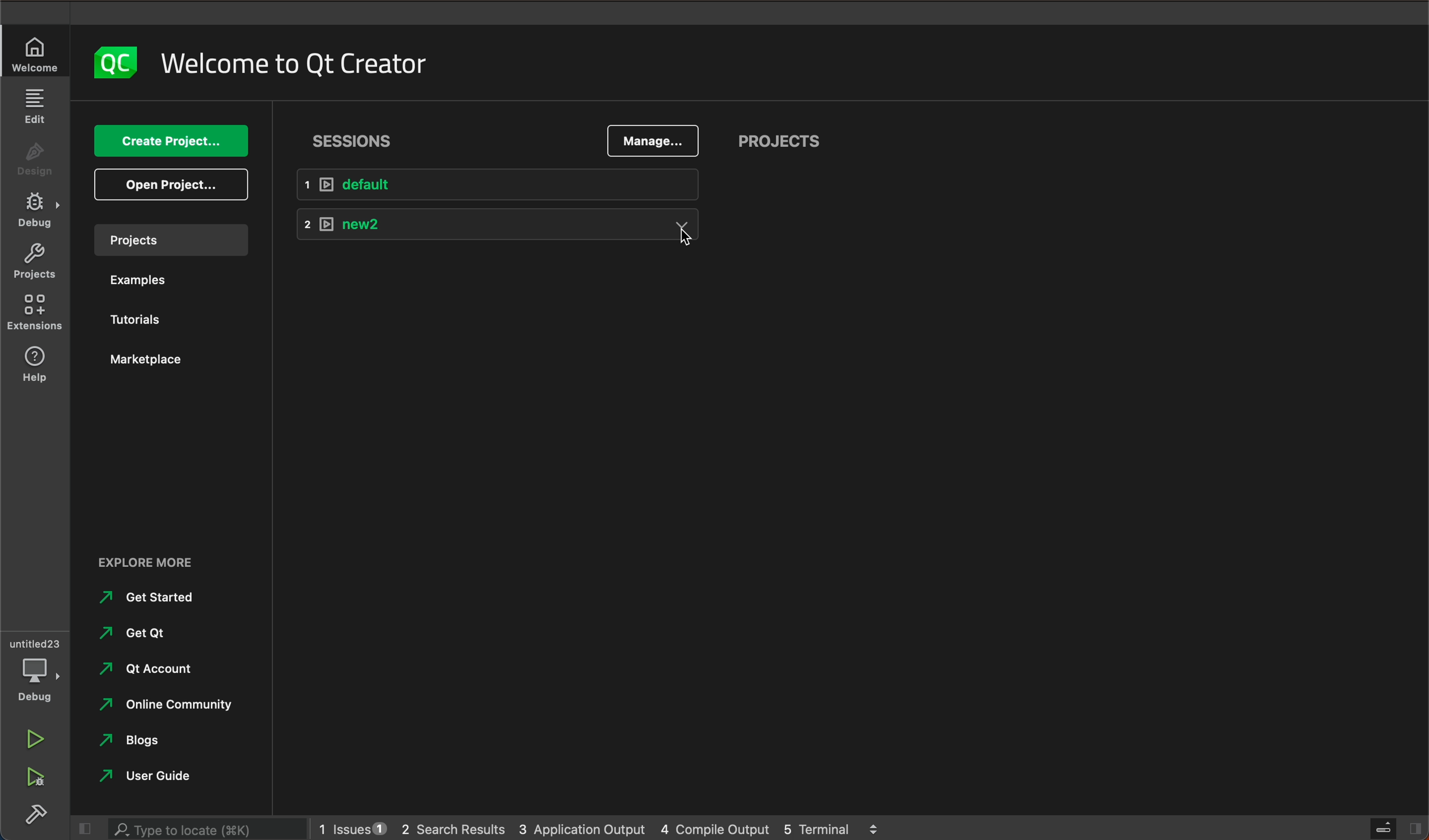  I want to click on run, so click(35, 739).